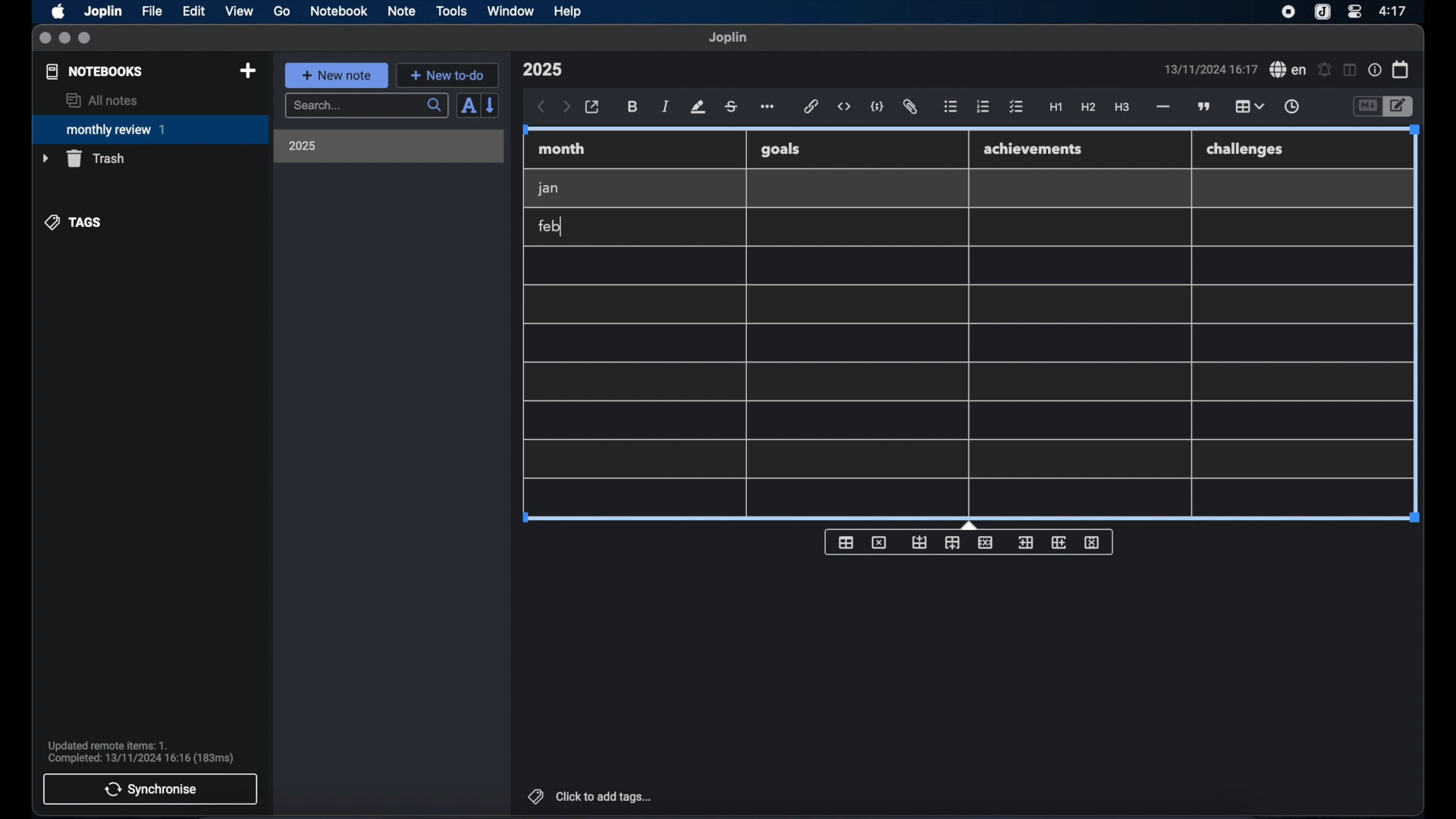  I want to click on new to-do, so click(448, 75).